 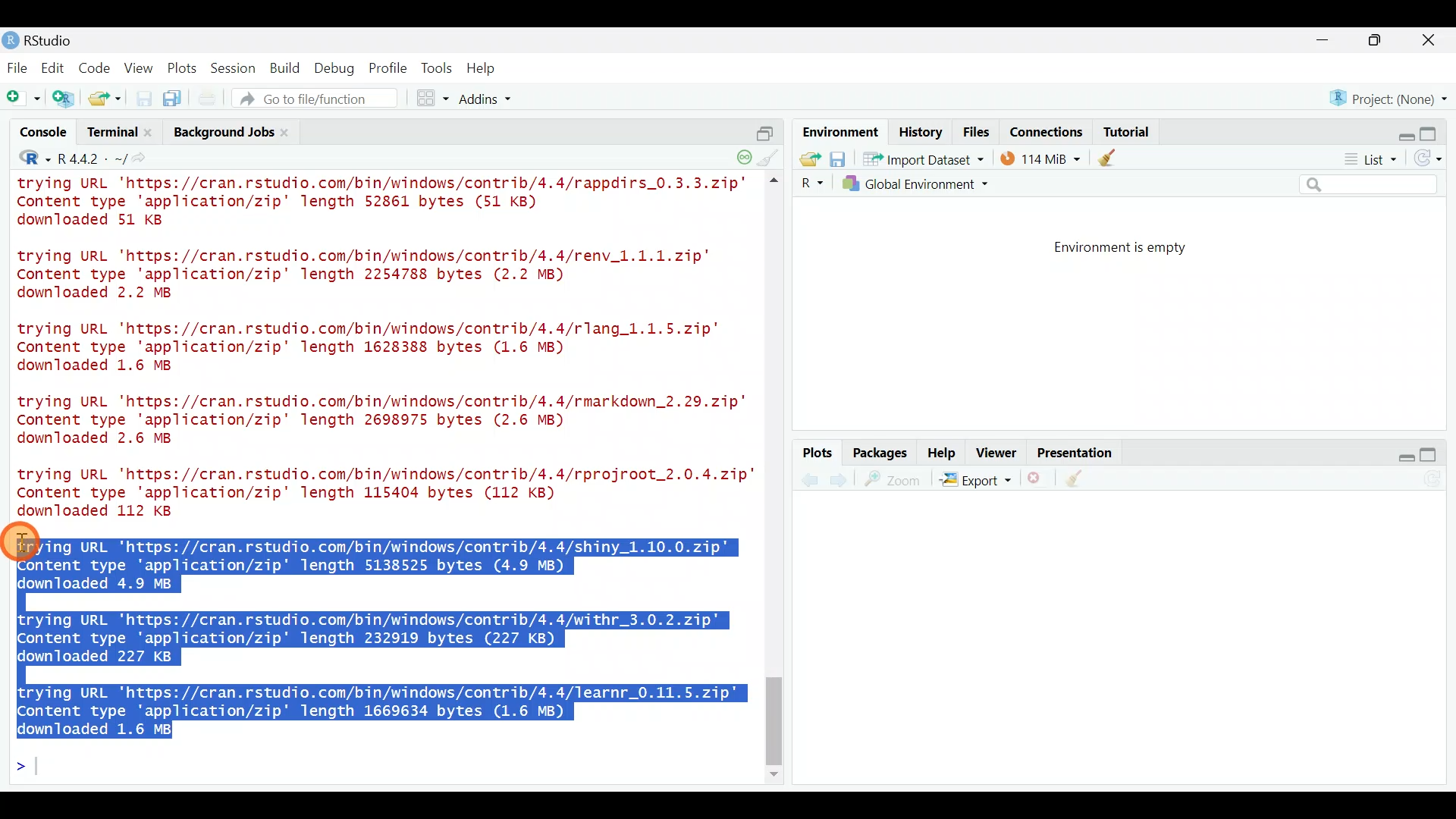 What do you see at coordinates (1369, 160) in the screenshot?
I see `List` at bounding box center [1369, 160].